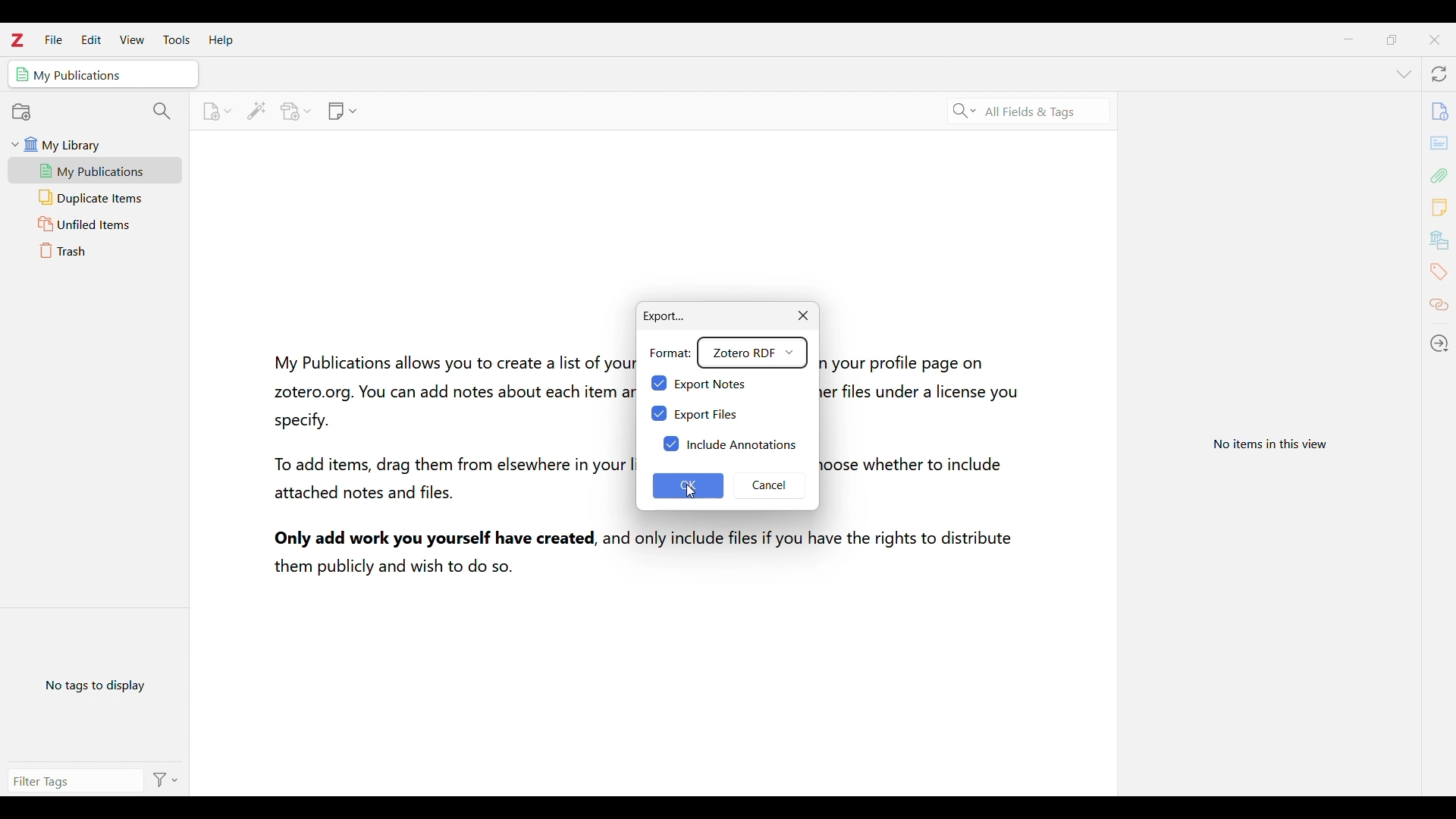 Image resolution: width=1456 pixels, height=819 pixels. I want to click on My publications, so click(95, 171).